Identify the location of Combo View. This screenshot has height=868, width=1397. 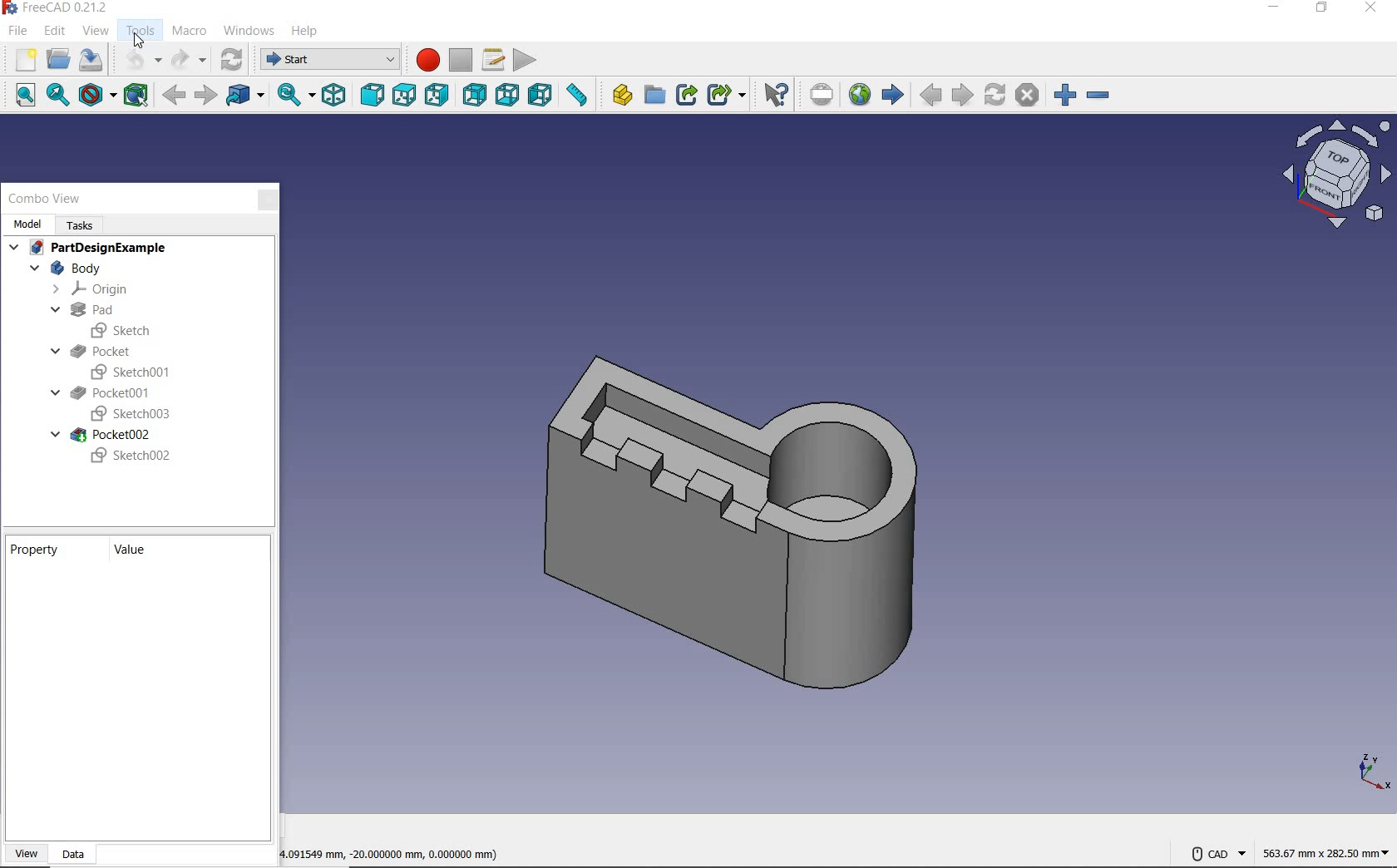
(46, 199).